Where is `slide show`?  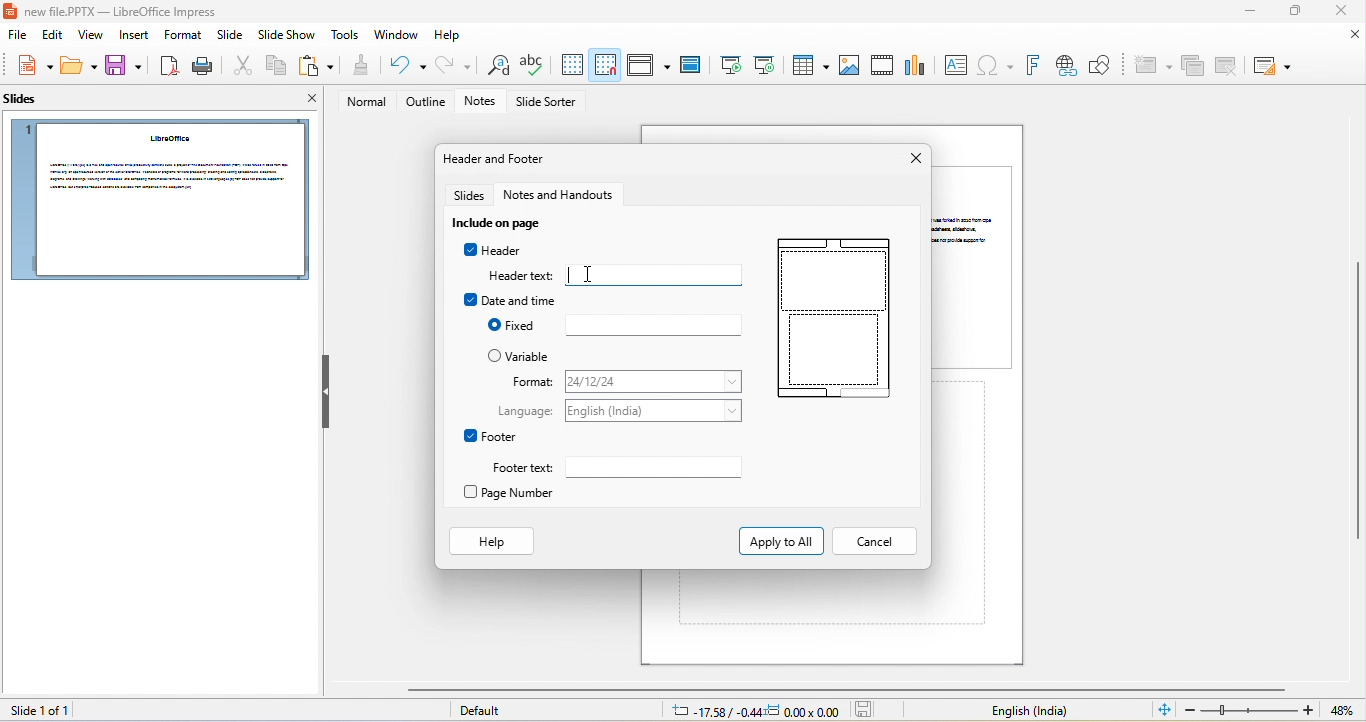 slide show is located at coordinates (287, 37).